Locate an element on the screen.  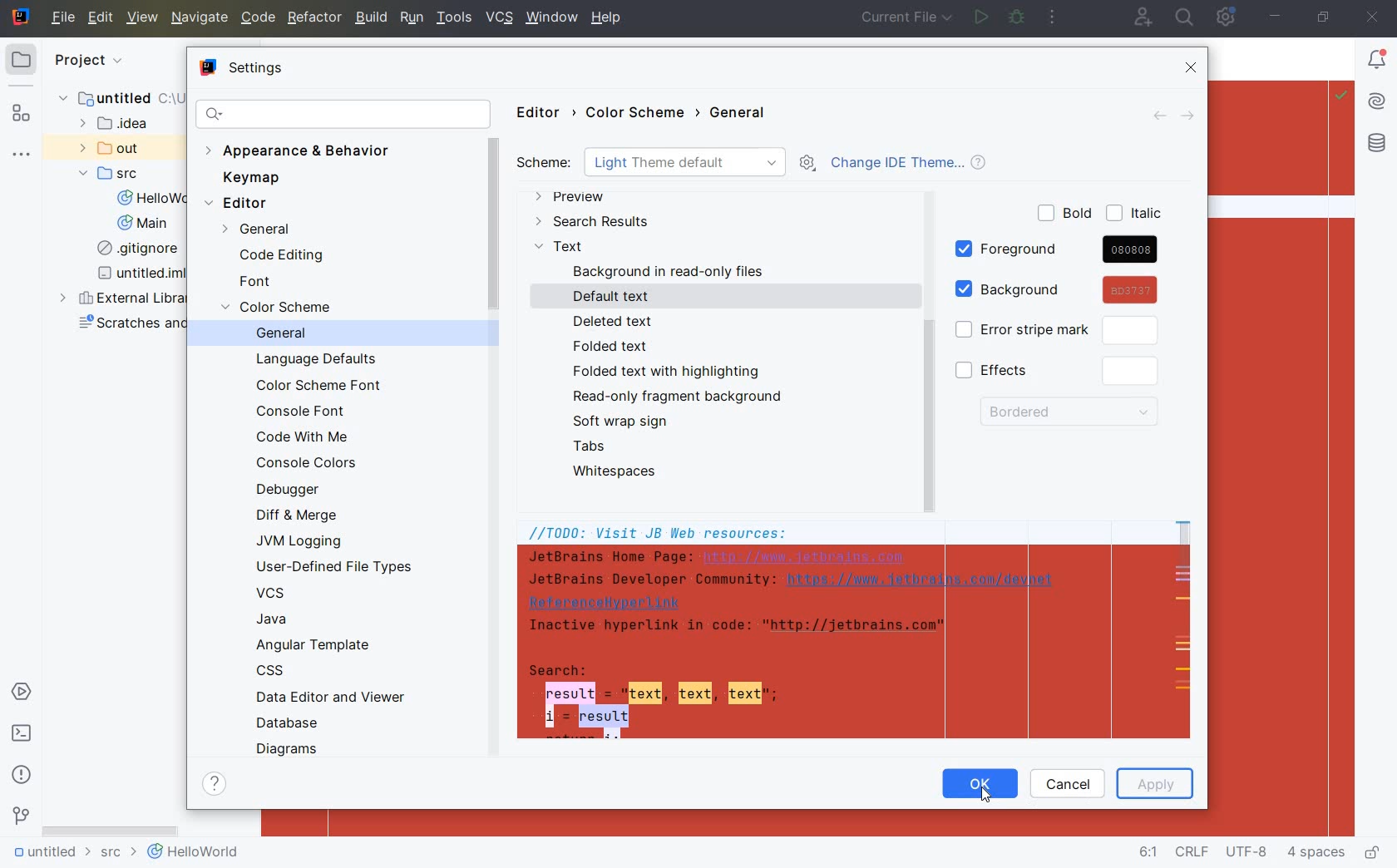
COLOR SCEME is located at coordinates (284, 308).